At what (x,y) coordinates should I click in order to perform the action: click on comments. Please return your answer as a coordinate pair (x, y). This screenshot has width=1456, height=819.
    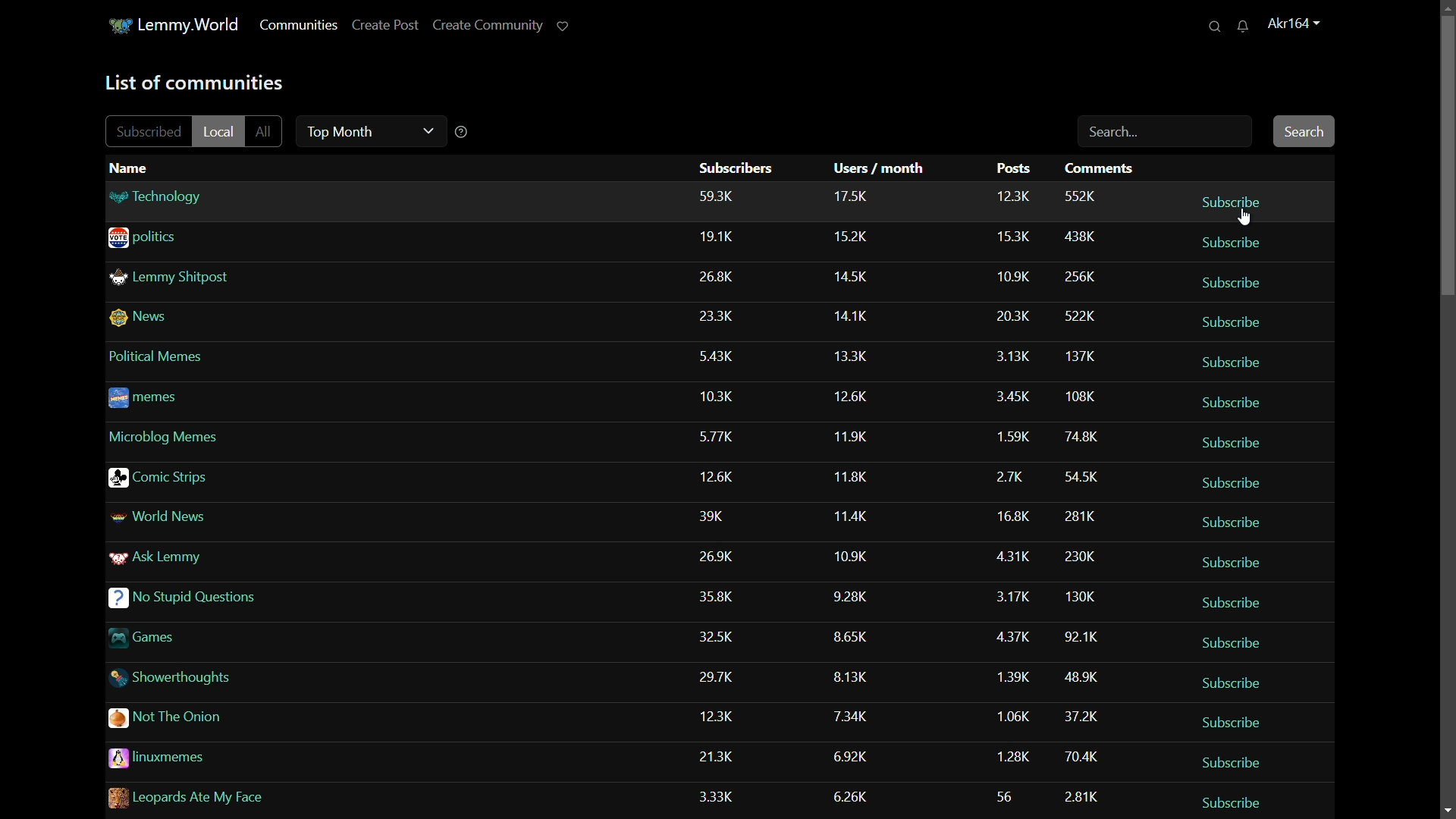
    Looking at the image, I should click on (1080, 316).